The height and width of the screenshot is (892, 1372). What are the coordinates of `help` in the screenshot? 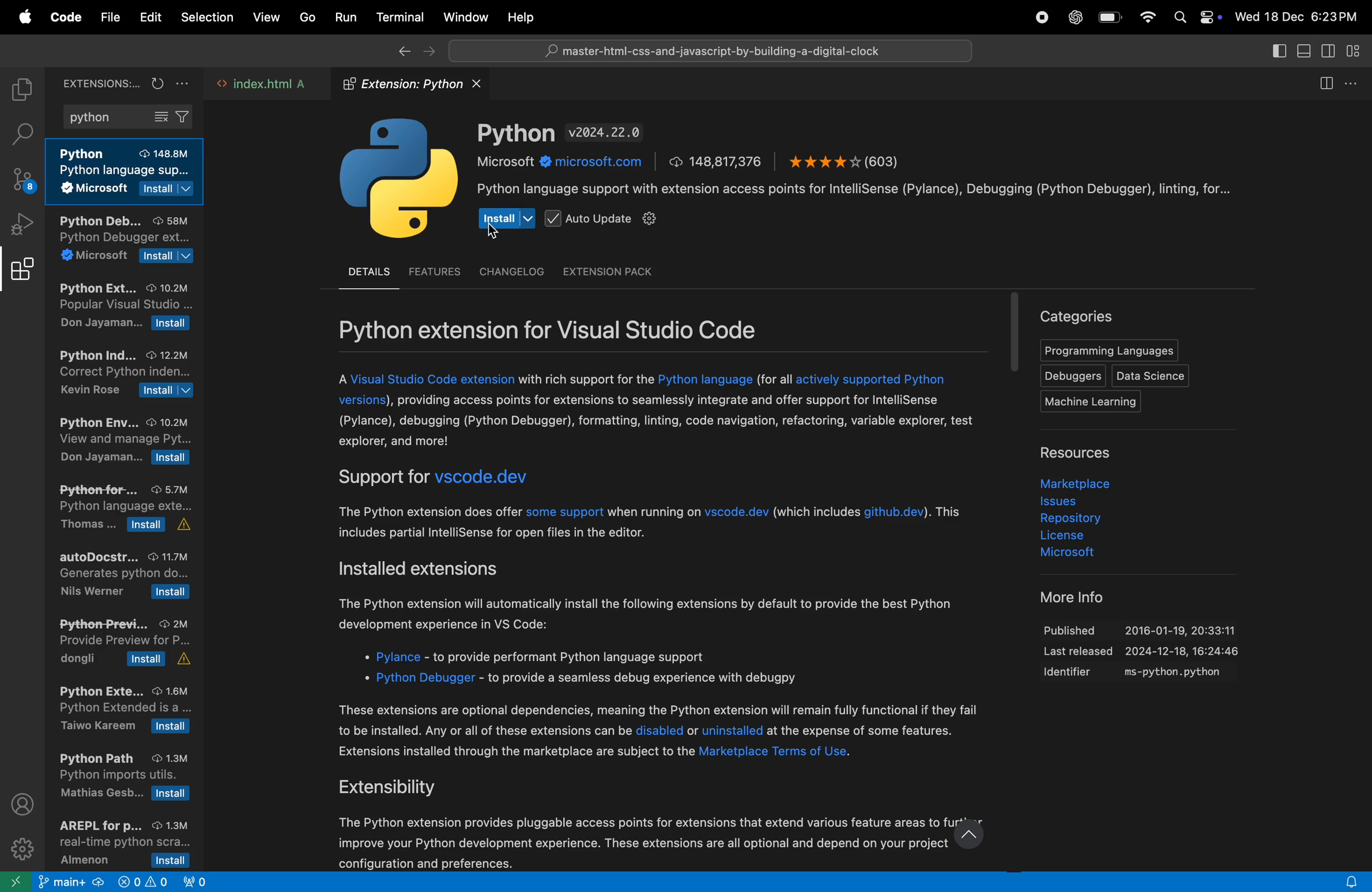 It's located at (525, 17).